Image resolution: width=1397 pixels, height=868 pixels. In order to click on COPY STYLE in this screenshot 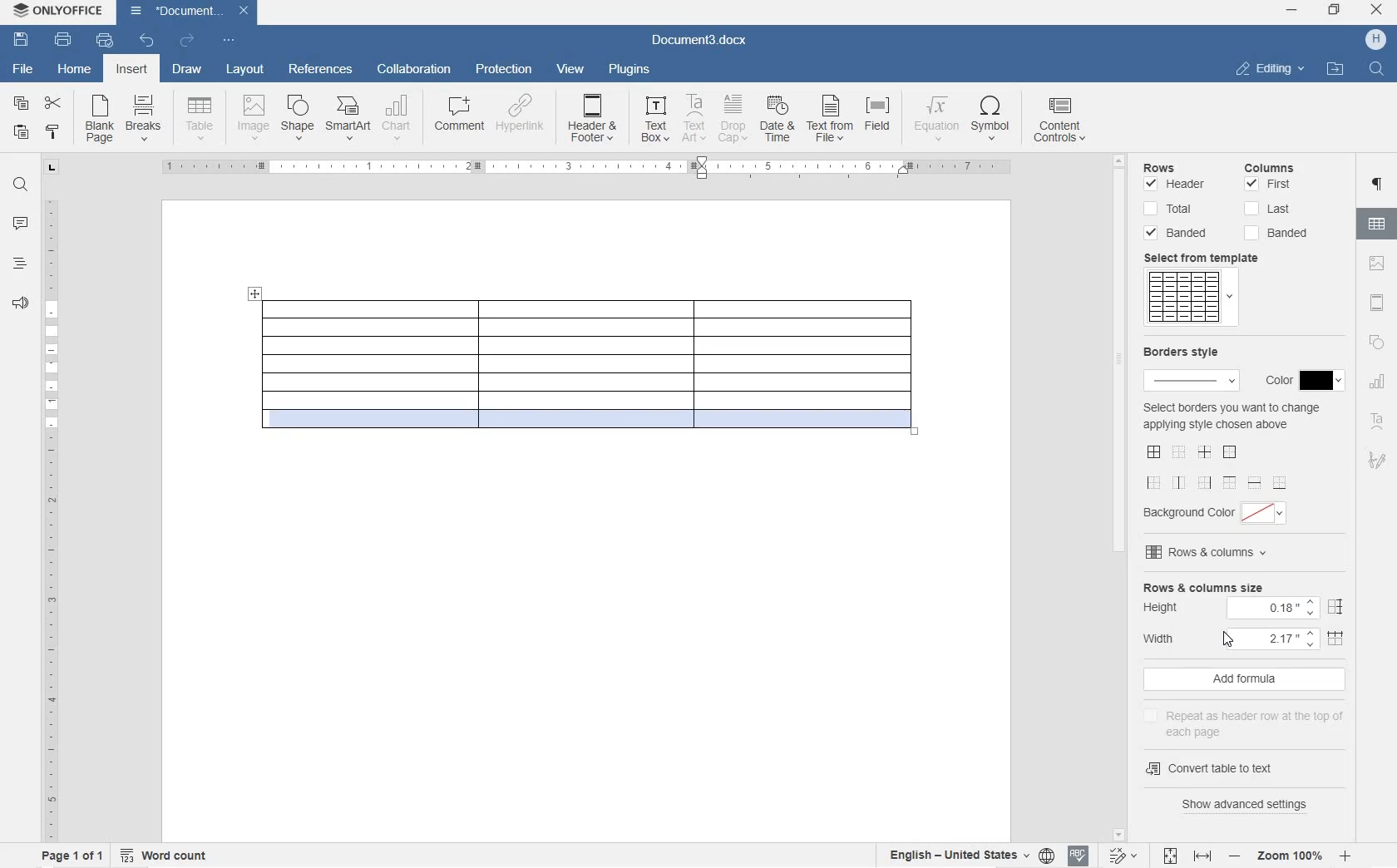, I will do `click(53, 132)`.